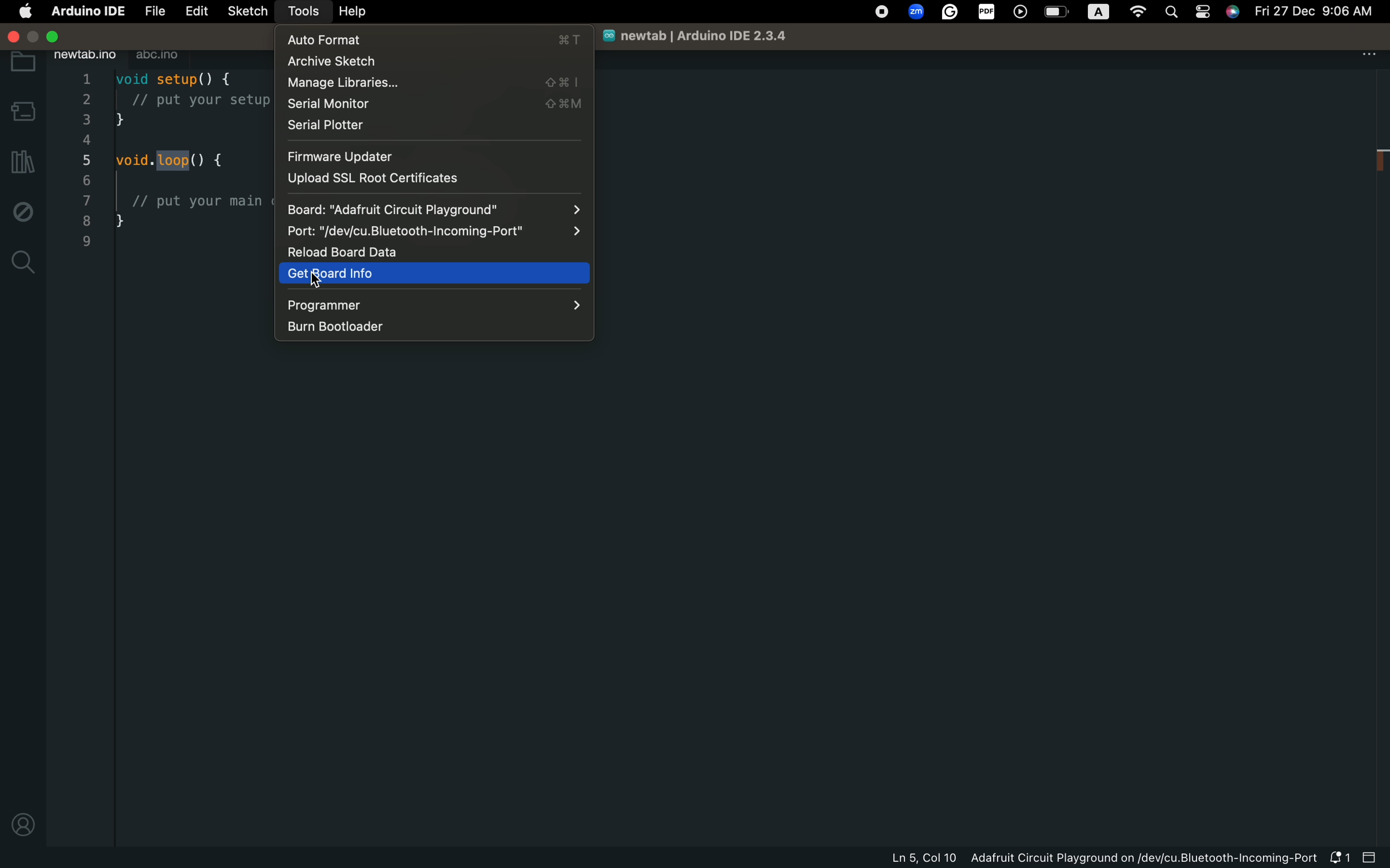  I want to click on line numbers, so click(84, 162).